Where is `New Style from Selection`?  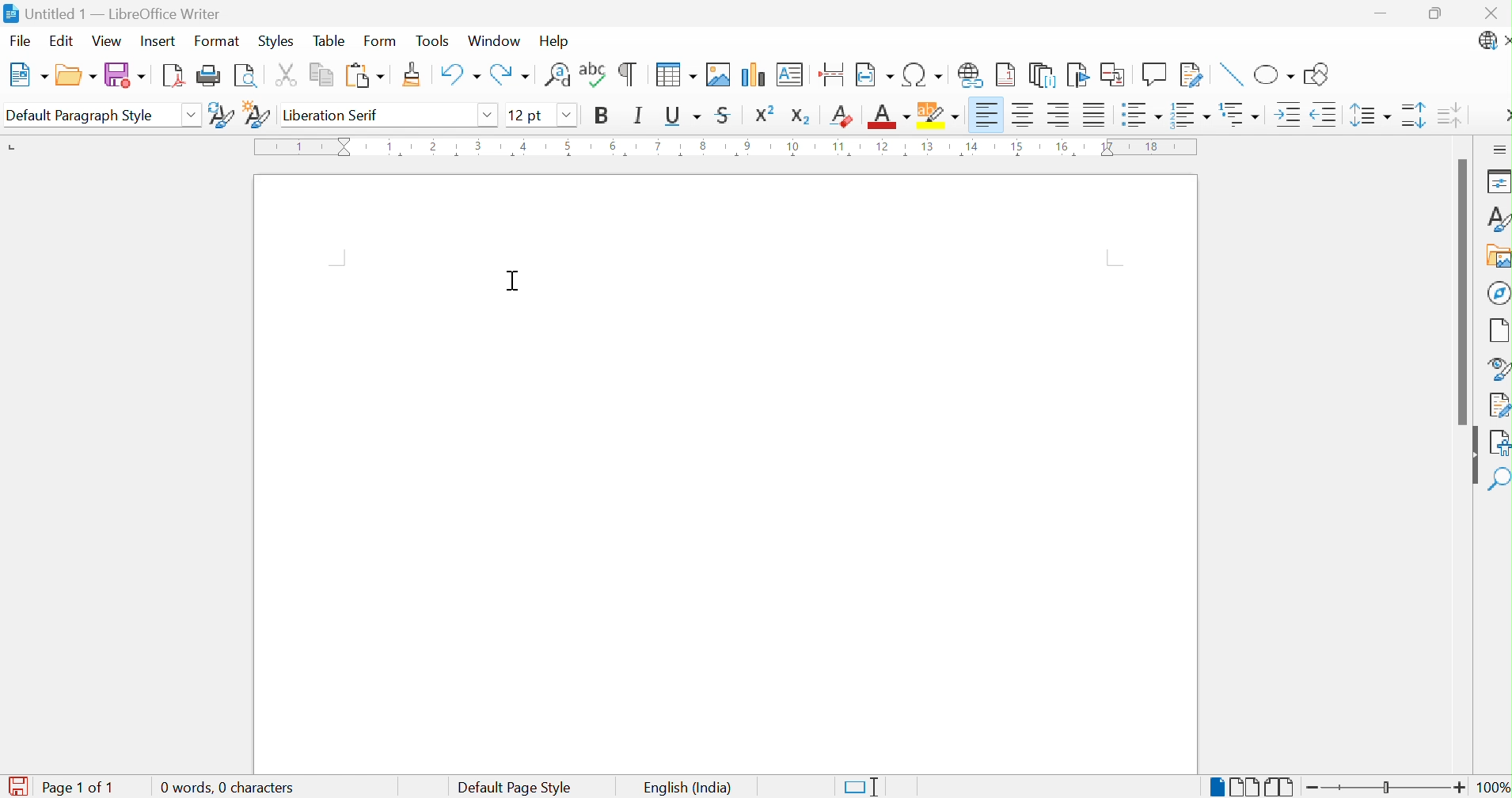 New Style from Selection is located at coordinates (256, 113).